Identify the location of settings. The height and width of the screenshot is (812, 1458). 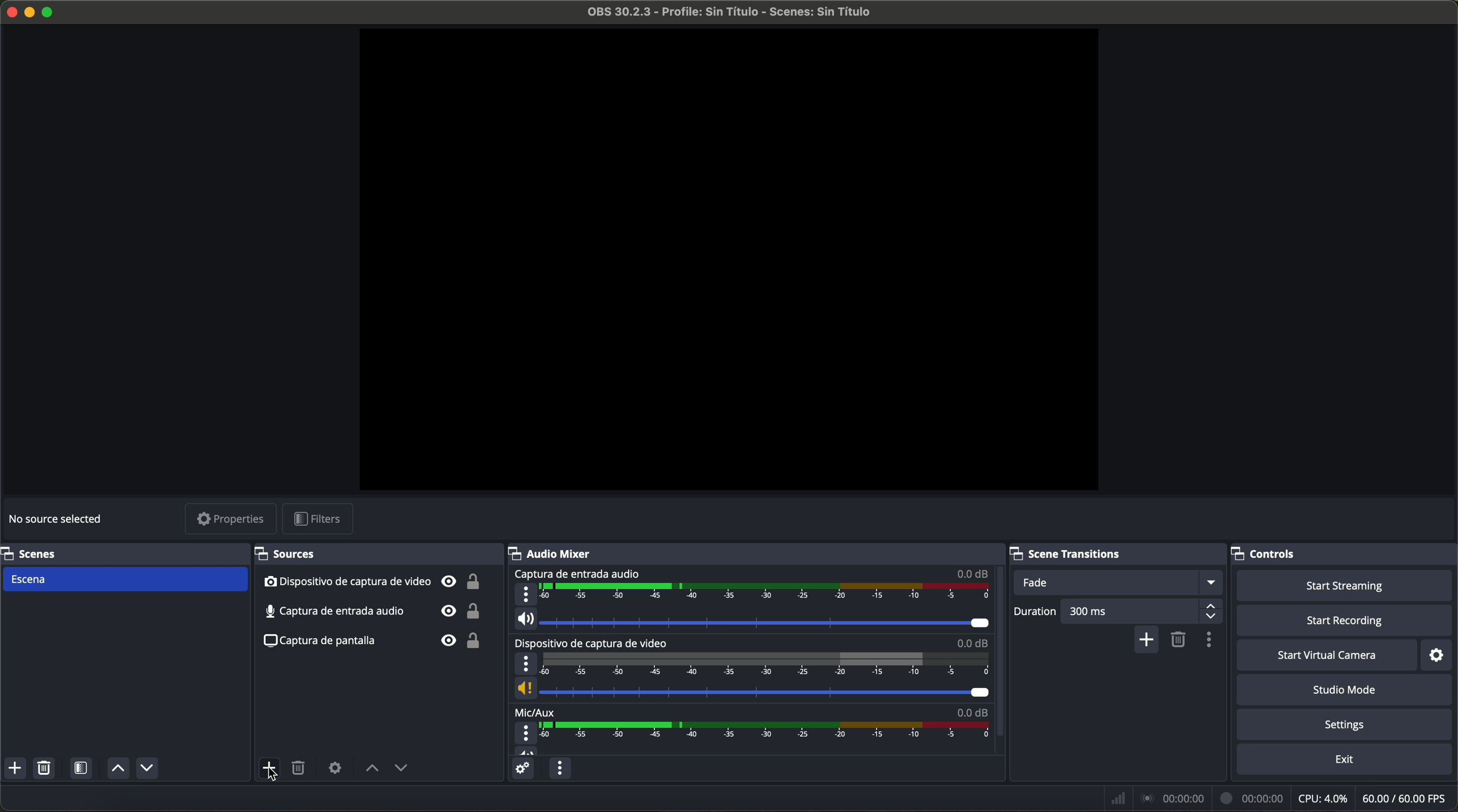
(1348, 725).